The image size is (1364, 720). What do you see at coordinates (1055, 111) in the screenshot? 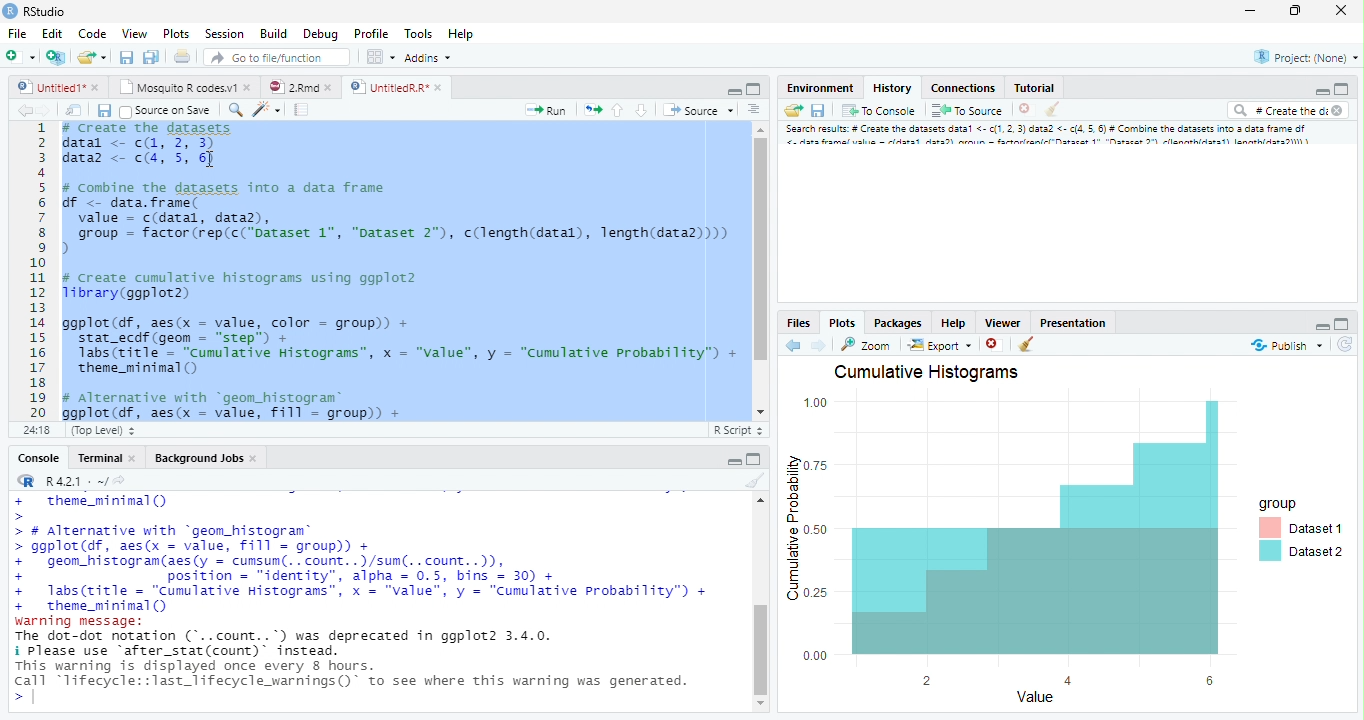
I see `Clear console` at bounding box center [1055, 111].